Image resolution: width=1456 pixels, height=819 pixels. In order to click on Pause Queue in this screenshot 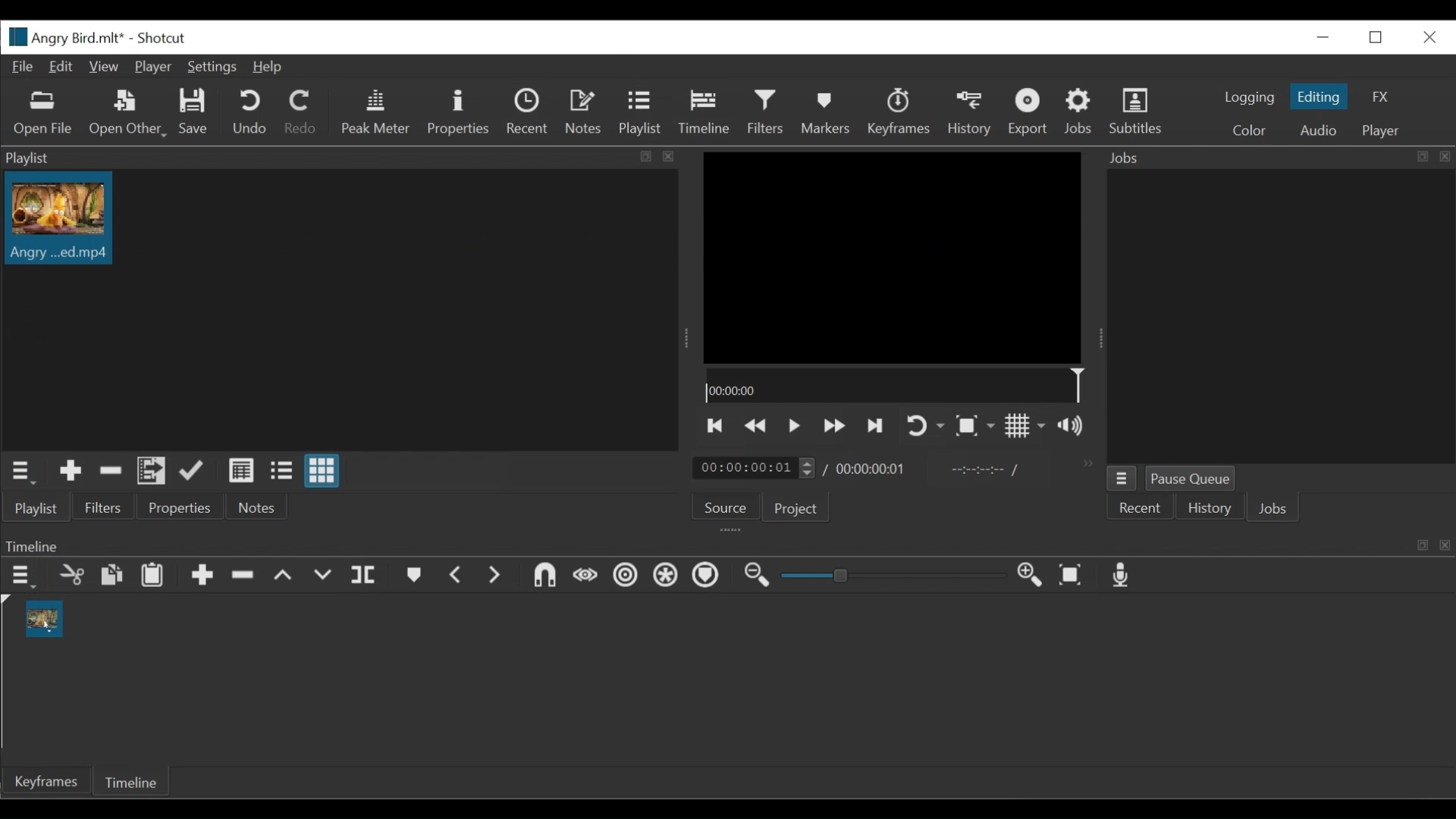, I will do `click(1191, 478)`.